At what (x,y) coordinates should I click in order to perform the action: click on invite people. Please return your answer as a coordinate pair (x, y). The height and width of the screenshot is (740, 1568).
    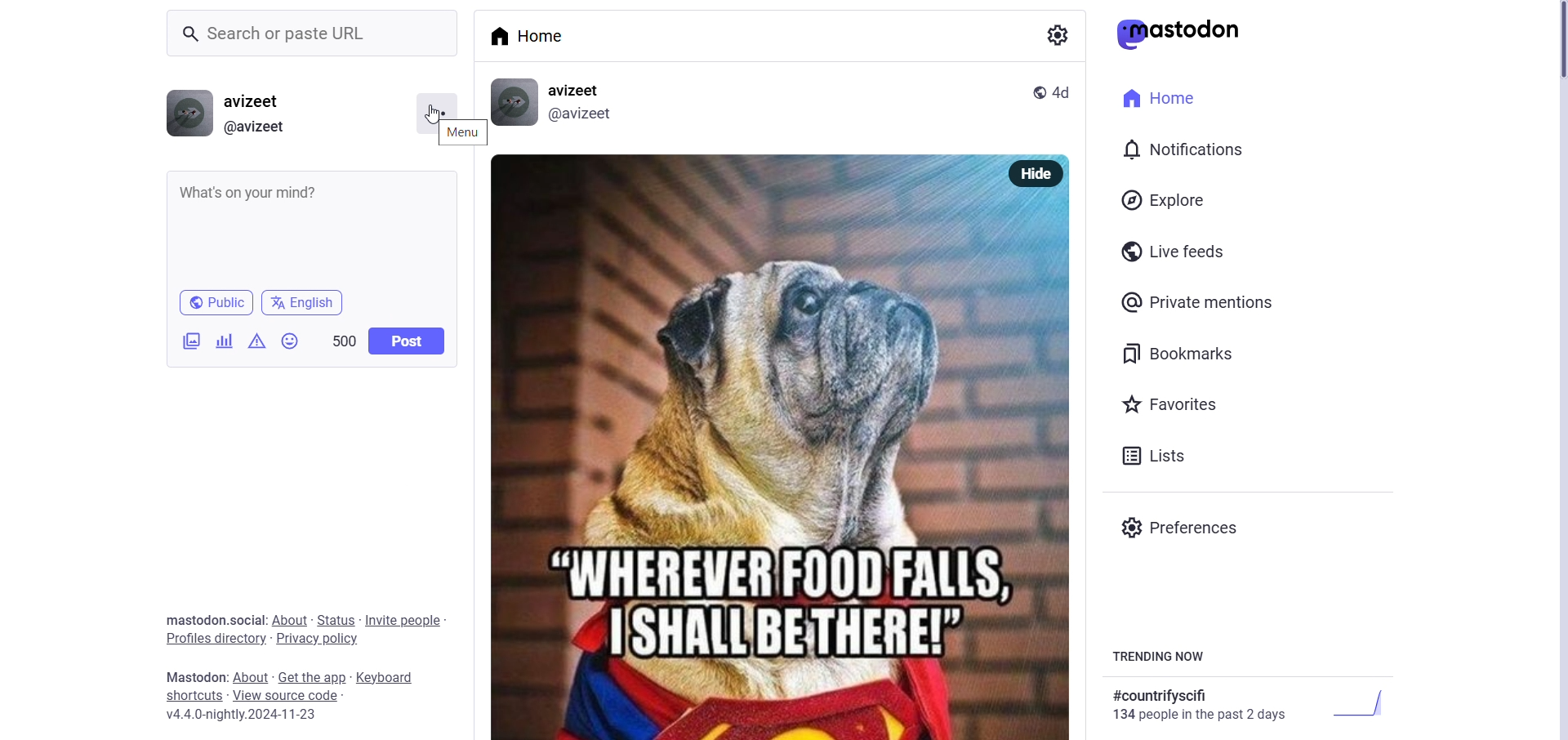
    Looking at the image, I should click on (405, 619).